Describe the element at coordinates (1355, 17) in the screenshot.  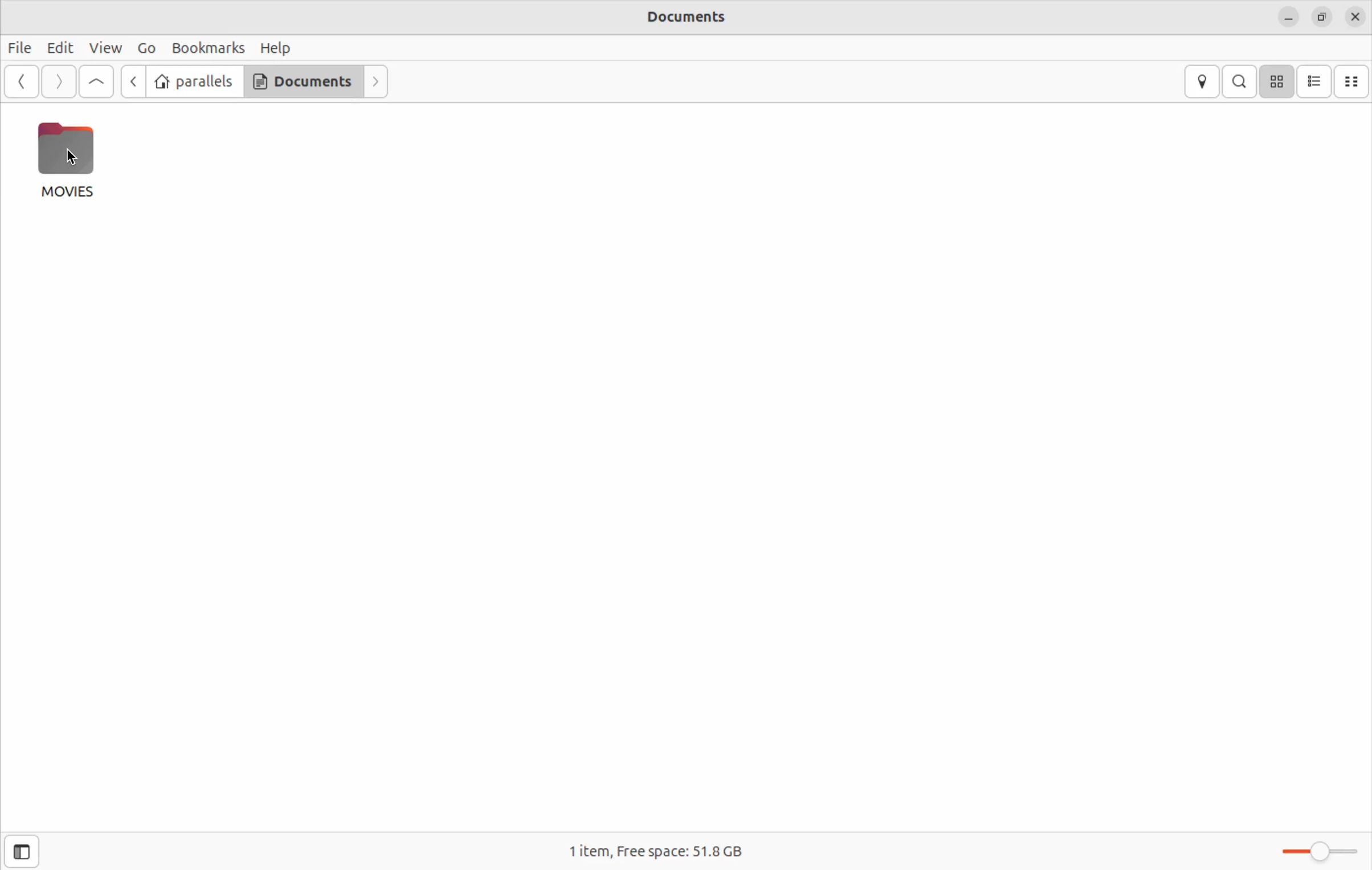
I see `close` at that location.